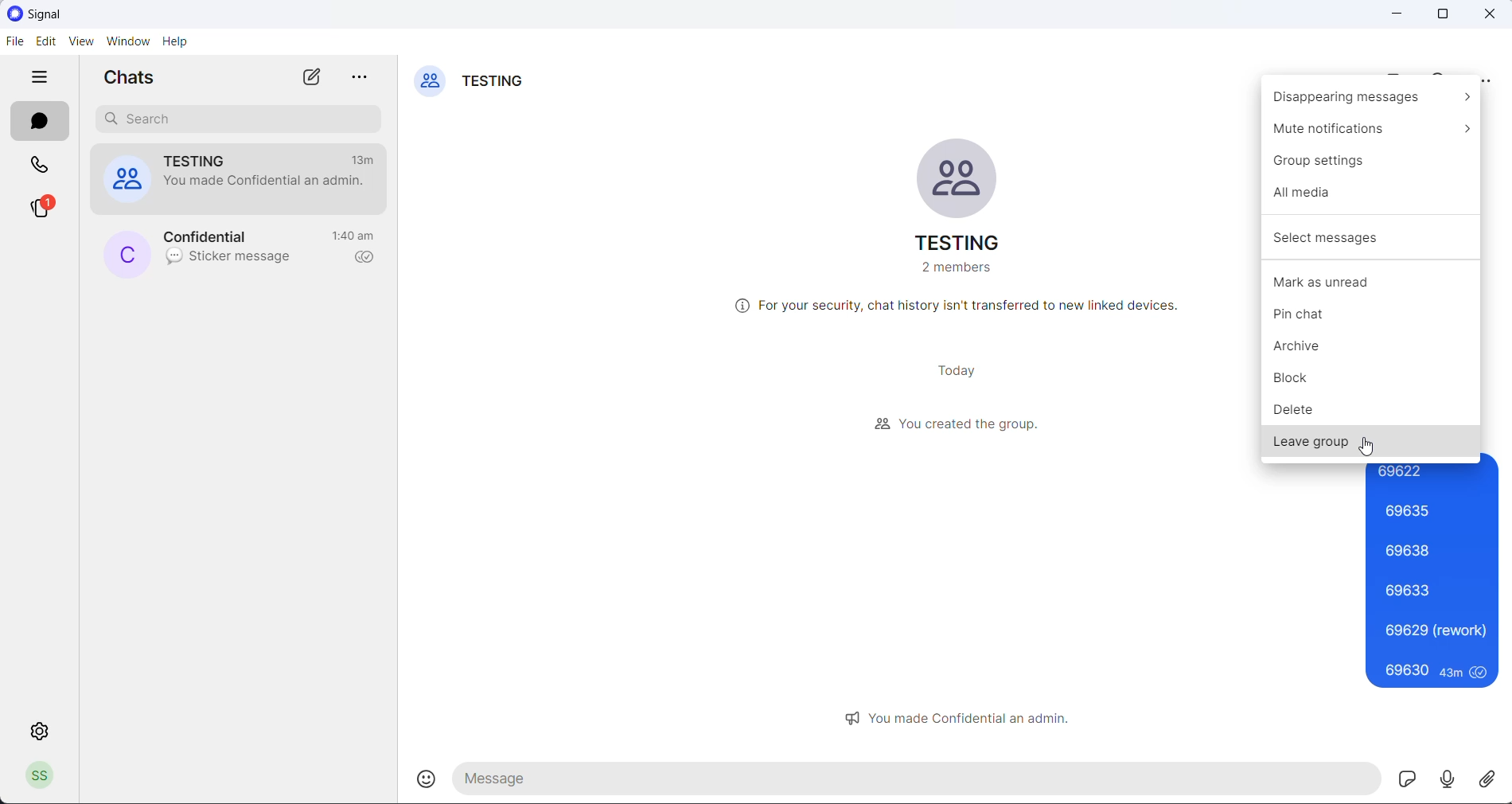 This screenshot has height=804, width=1512. What do you see at coordinates (1395, 16) in the screenshot?
I see `minimize` at bounding box center [1395, 16].